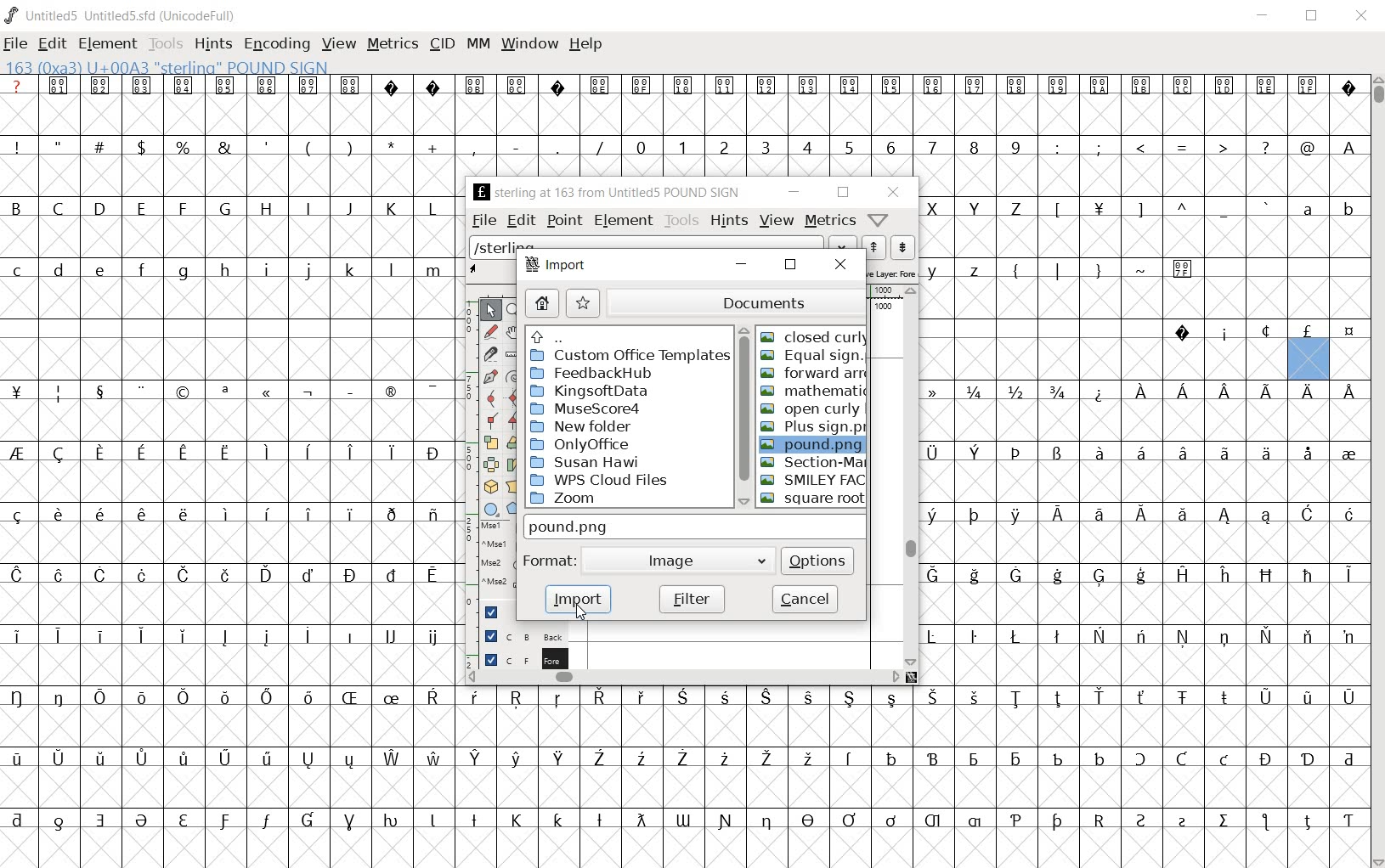 The image size is (1385, 868). Describe the element at coordinates (811, 479) in the screenshot. I see `SMILEY FAC` at that location.